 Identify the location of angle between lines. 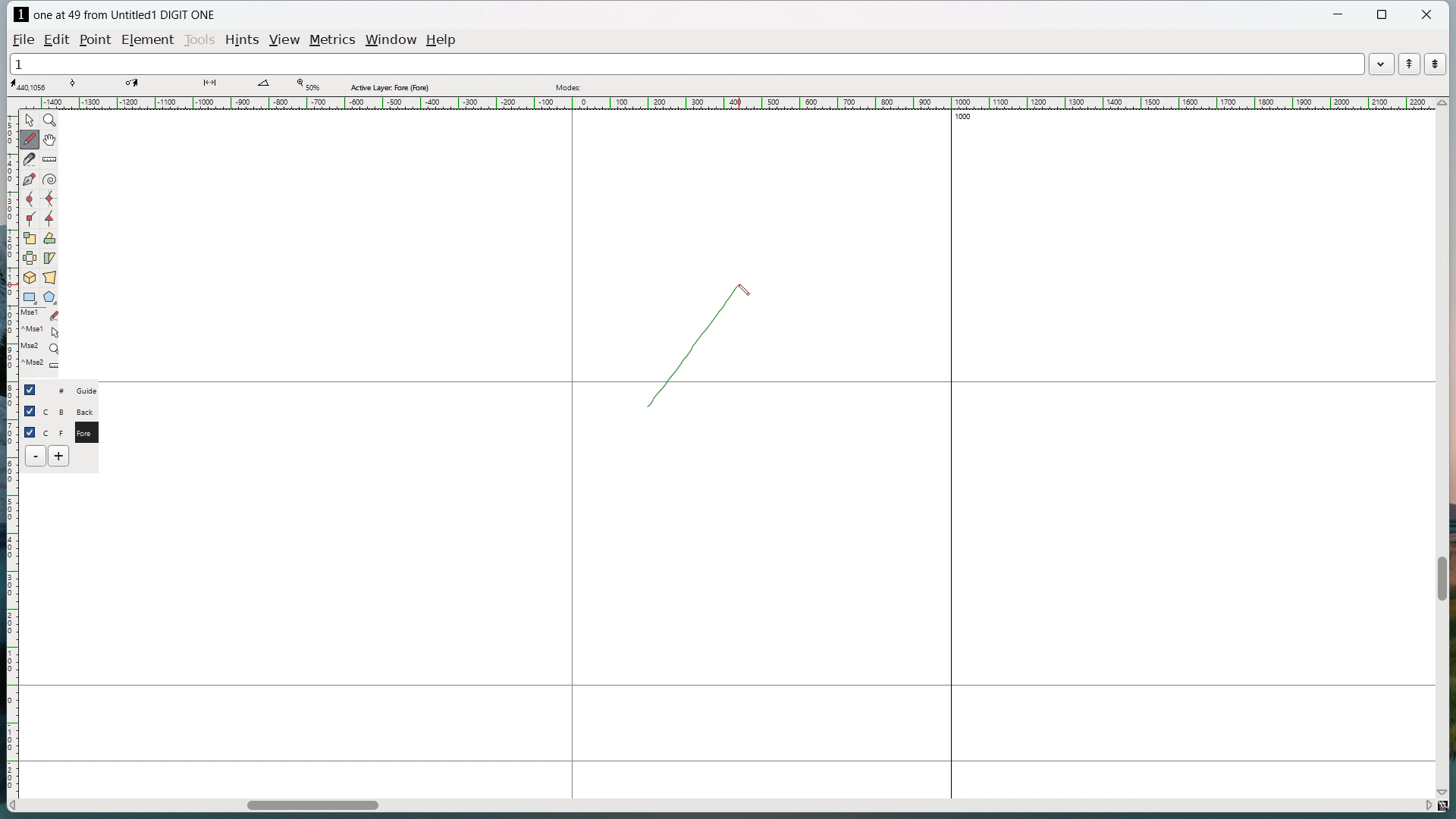
(264, 83).